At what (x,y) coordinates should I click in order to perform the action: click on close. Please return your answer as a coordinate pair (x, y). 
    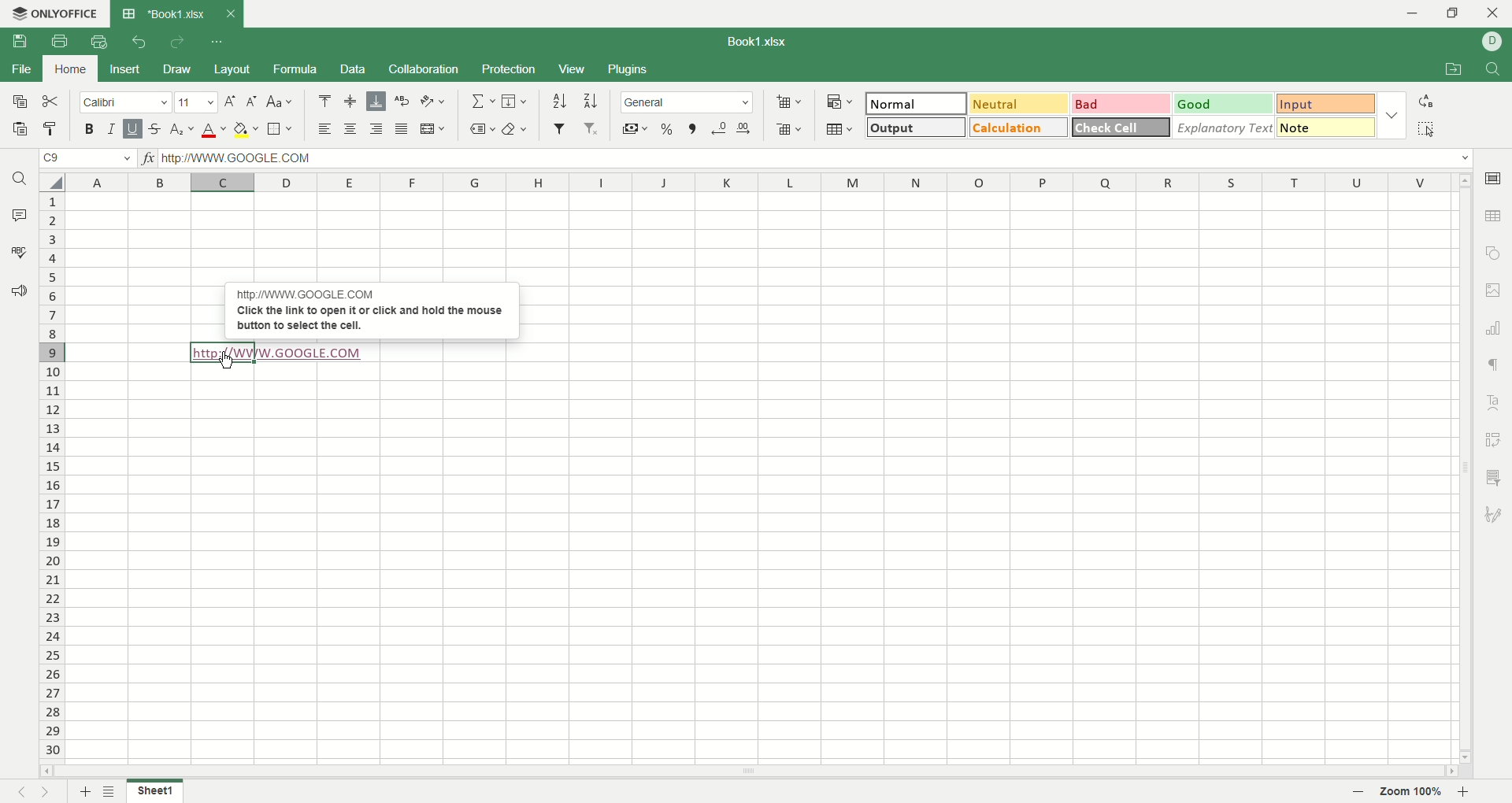
    Looking at the image, I should click on (1493, 13).